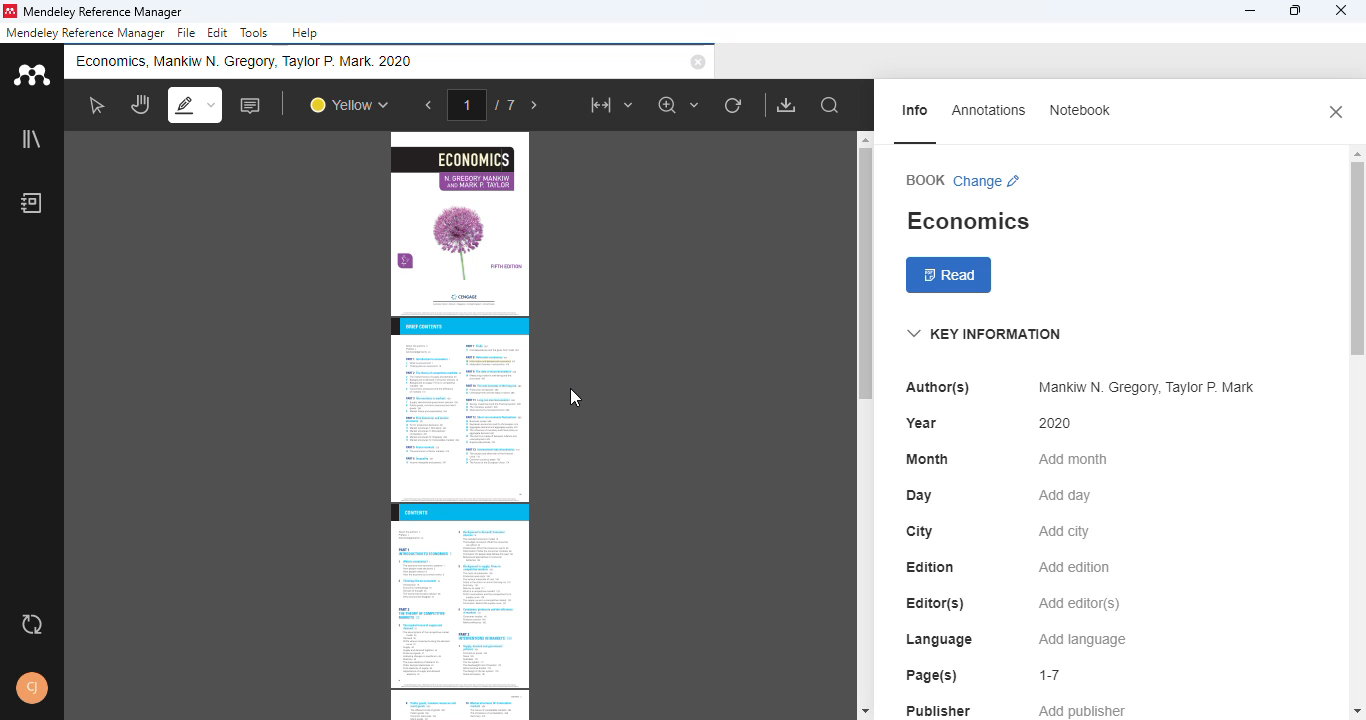  I want to click on close, so click(698, 62).